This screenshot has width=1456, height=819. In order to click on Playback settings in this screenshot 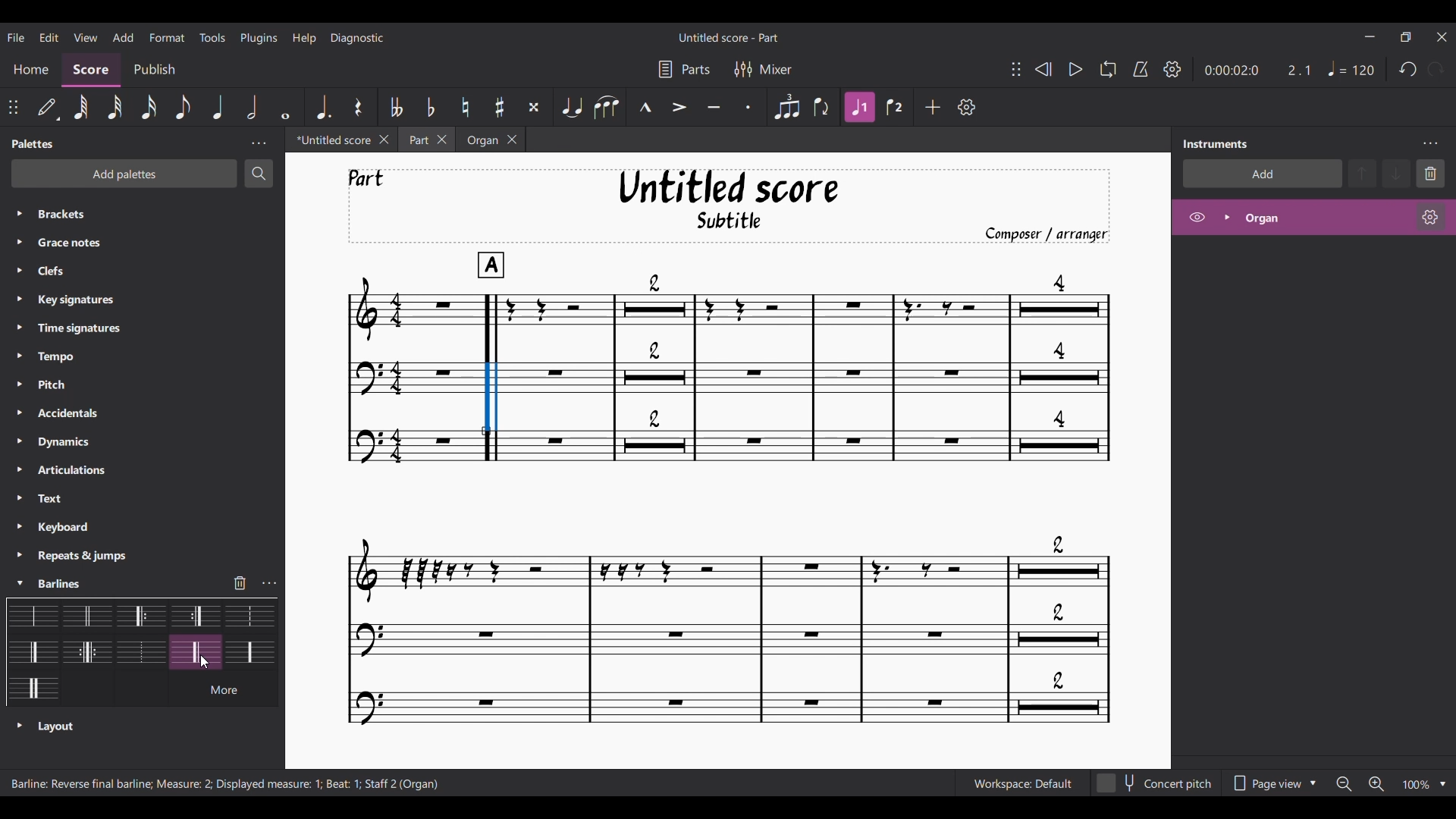, I will do `click(1172, 68)`.